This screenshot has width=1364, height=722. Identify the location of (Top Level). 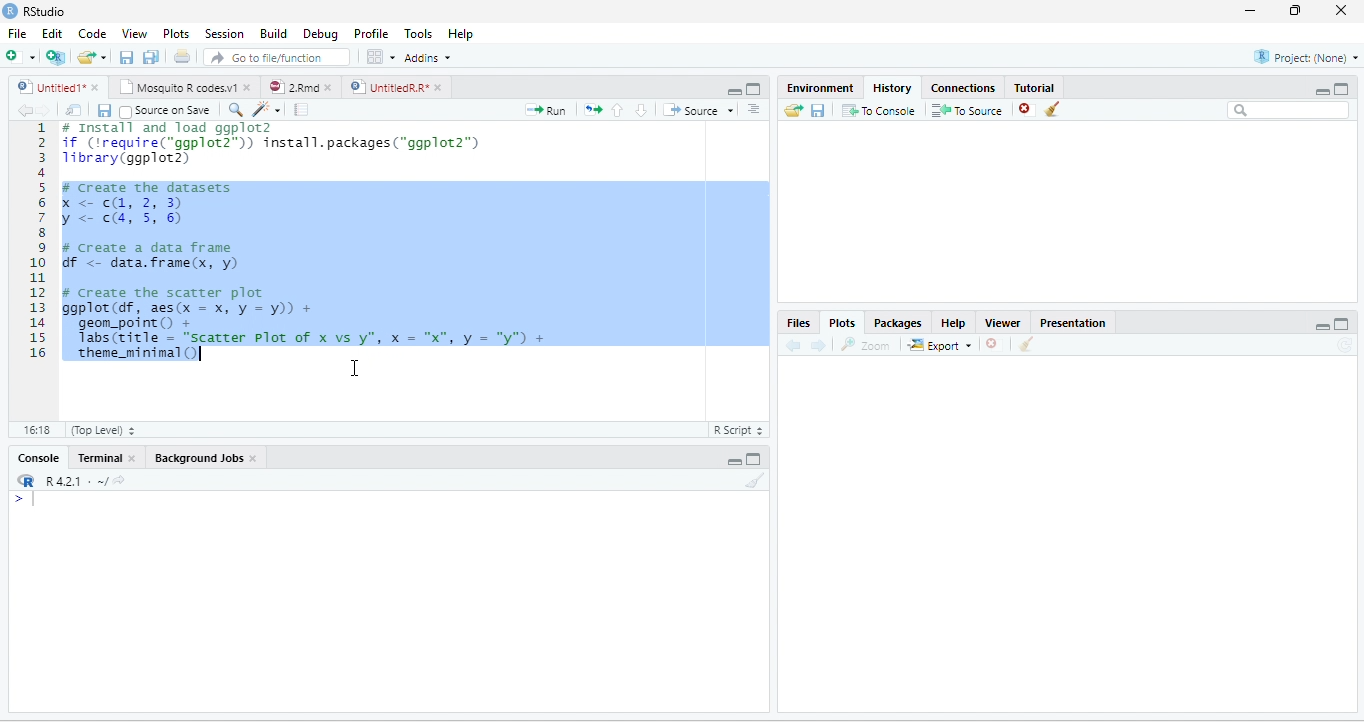
(101, 429).